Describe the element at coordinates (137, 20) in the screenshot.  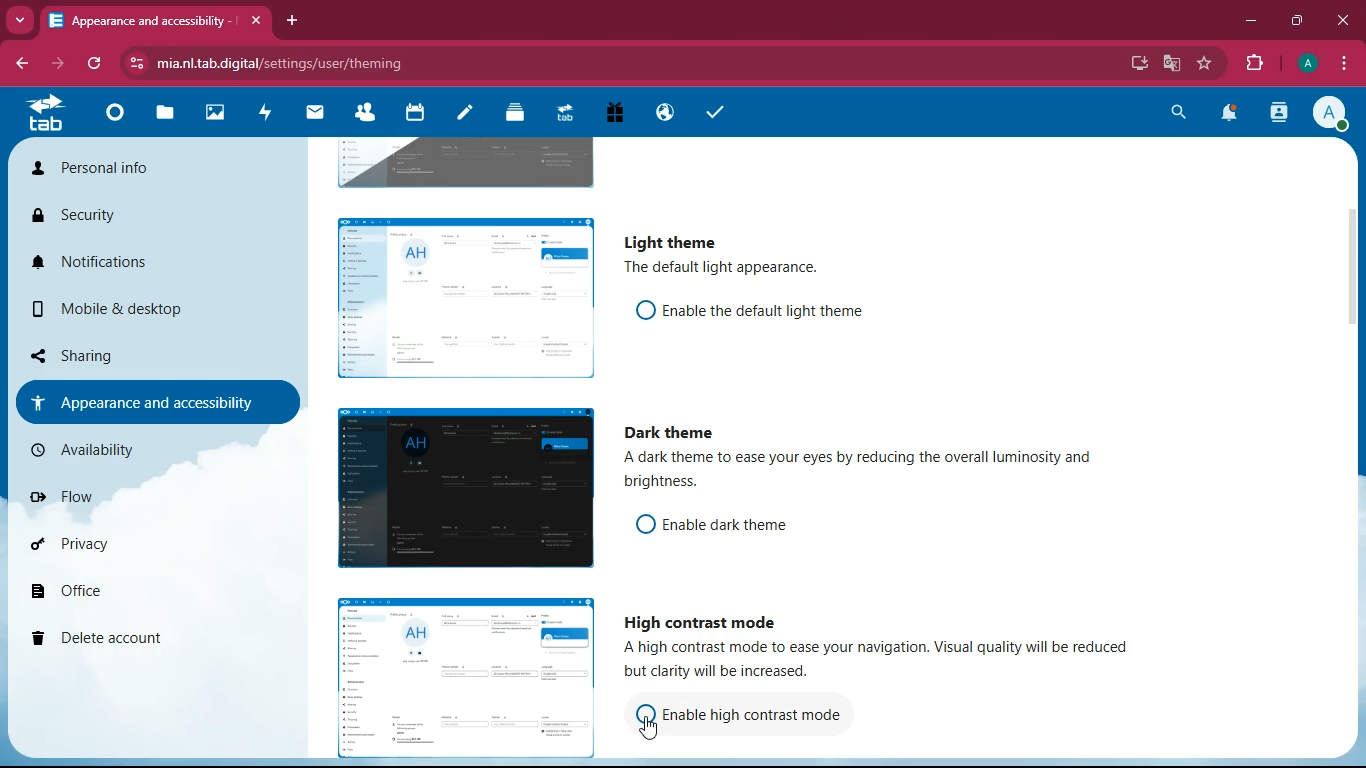
I see `tab` at that location.